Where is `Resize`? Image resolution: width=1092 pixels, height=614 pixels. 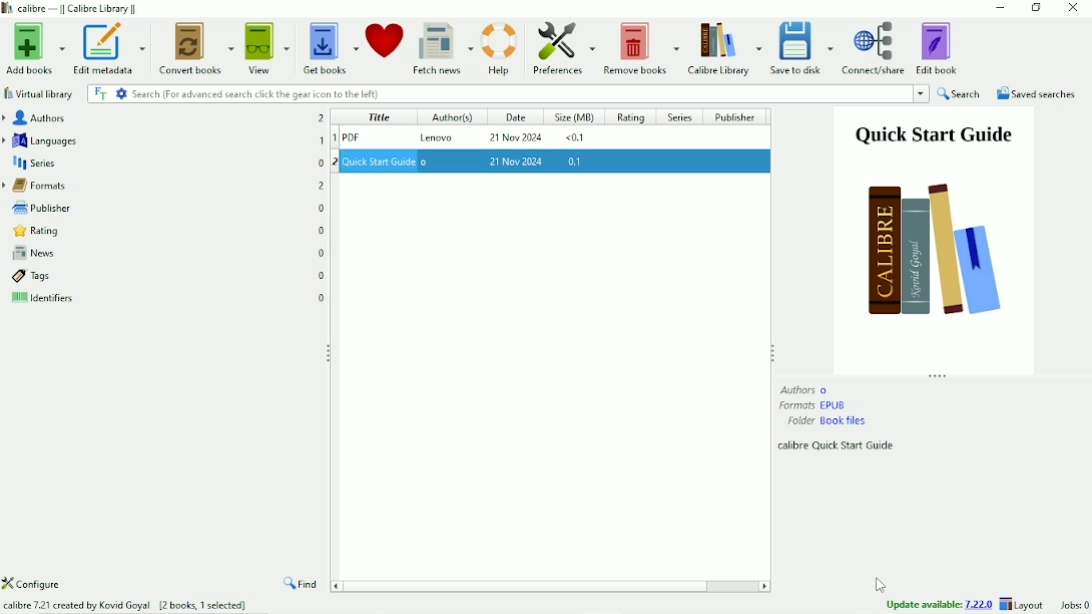
Resize is located at coordinates (772, 351).